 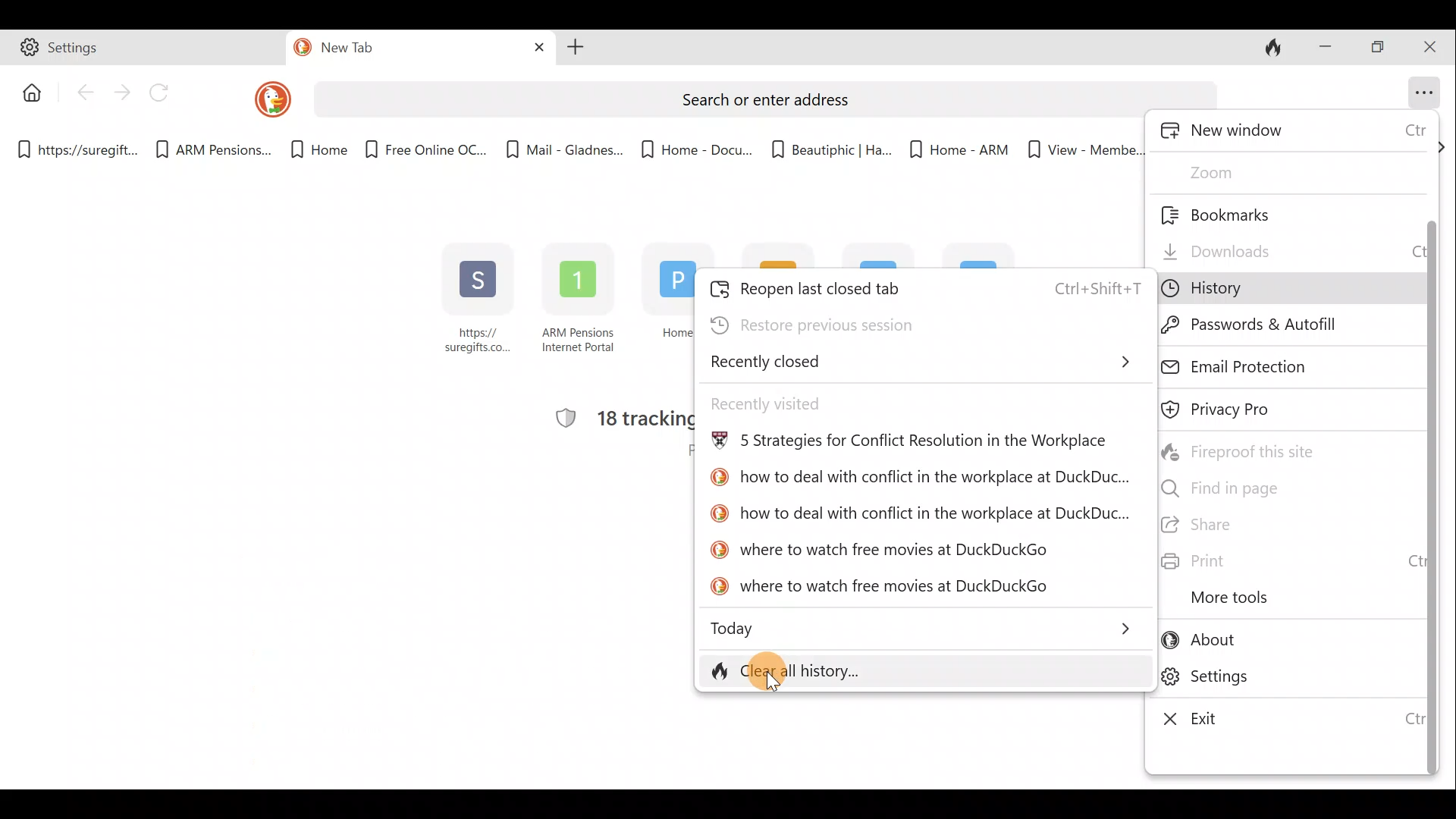 I want to click on Search or enter address, so click(x=755, y=94).